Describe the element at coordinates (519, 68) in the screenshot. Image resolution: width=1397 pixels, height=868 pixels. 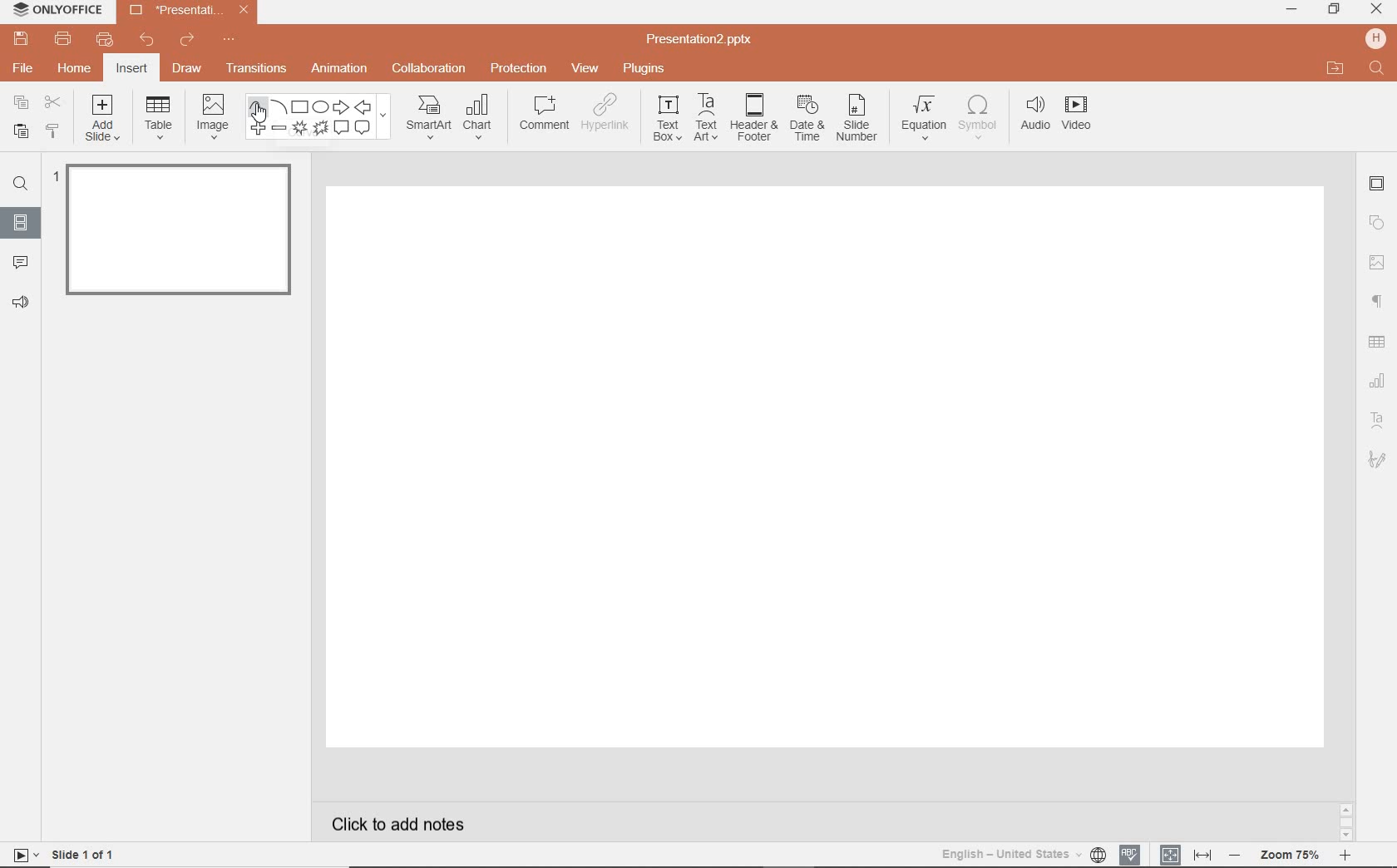
I see `PROTECTION` at that location.